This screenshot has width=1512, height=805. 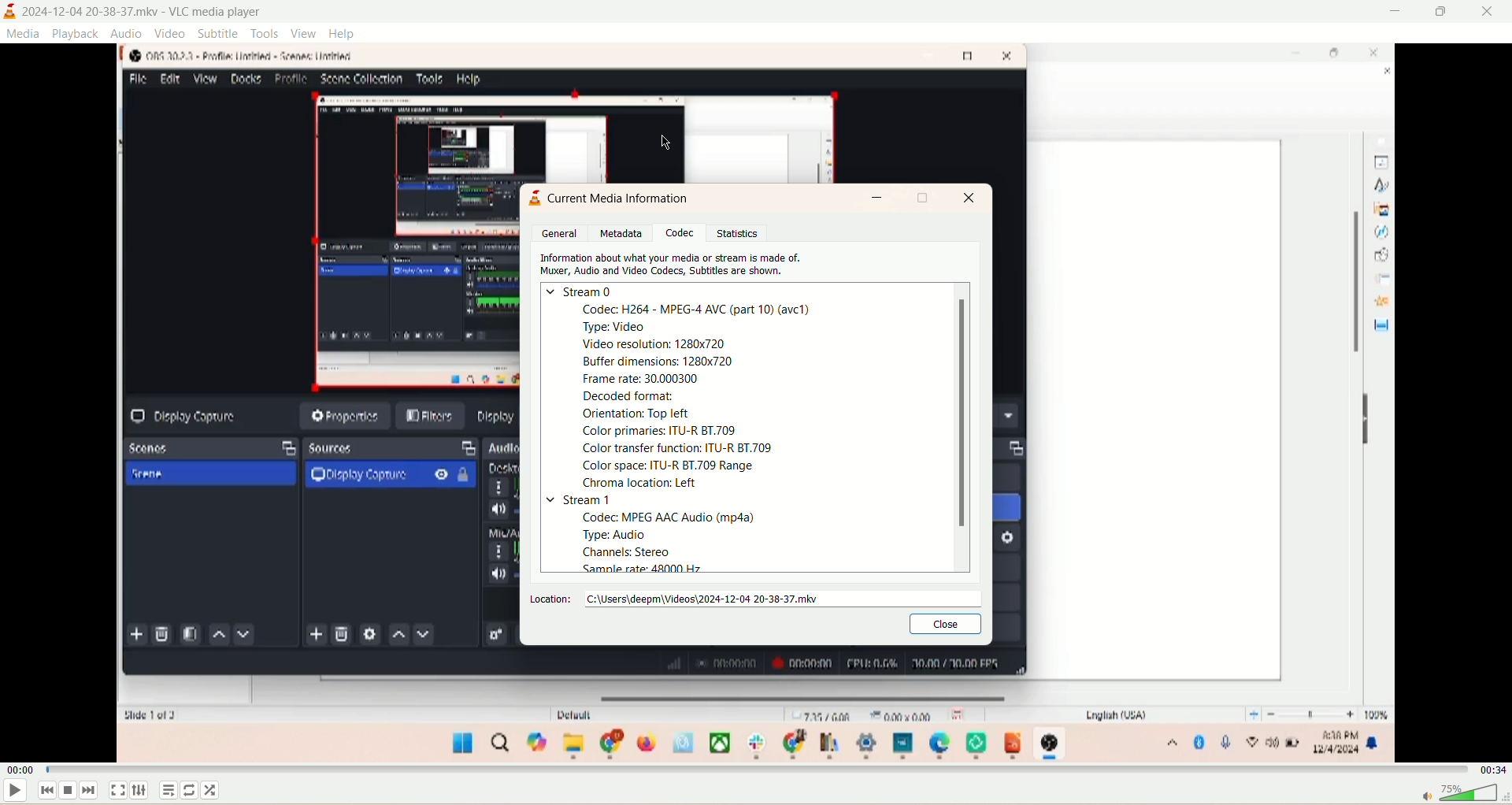 What do you see at coordinates (46, 791) in the screenshot?
I see `previous` at bounding box center [46, 791].